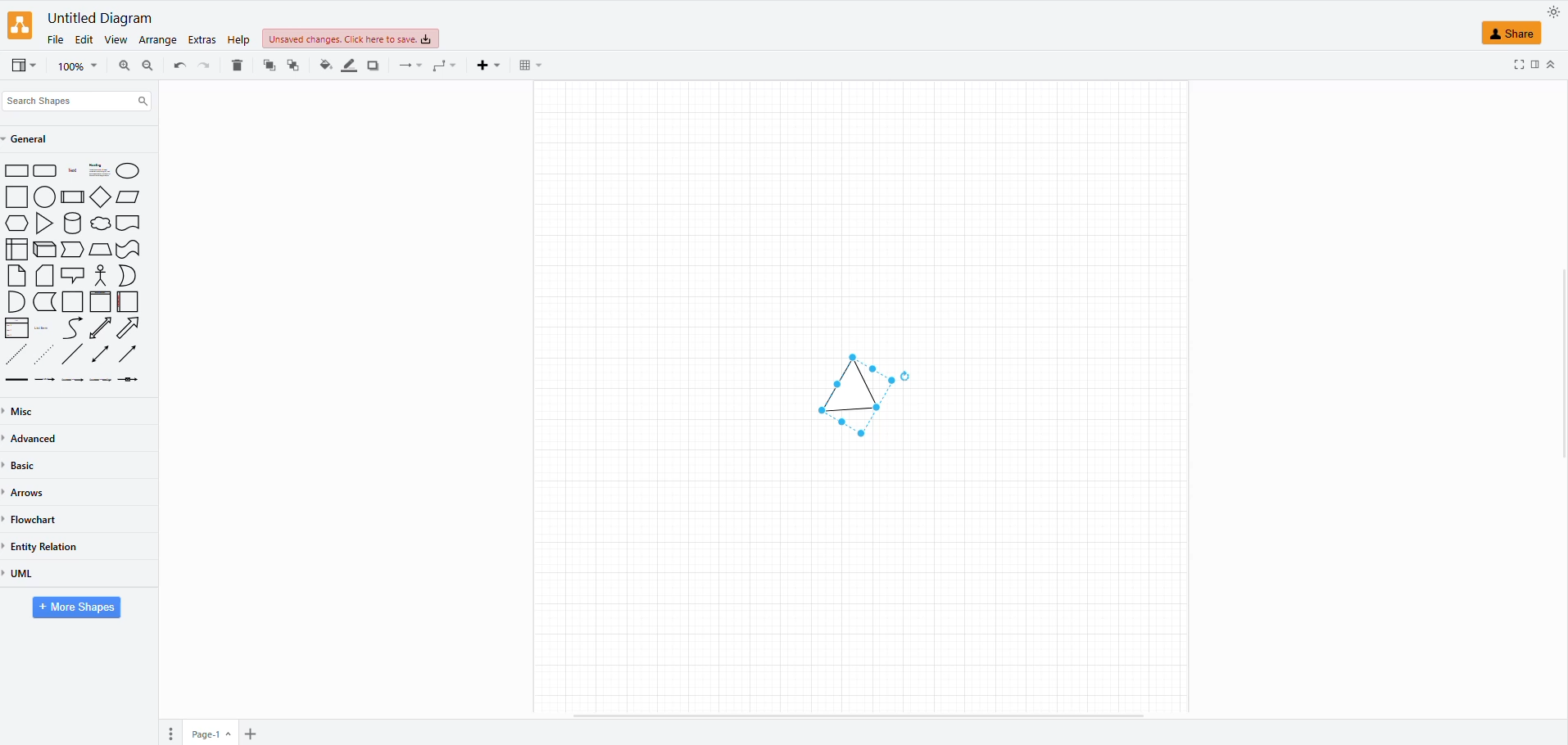  Describe the element at coordinates (25, 574) in the screenshot. I see `uml` at that location.